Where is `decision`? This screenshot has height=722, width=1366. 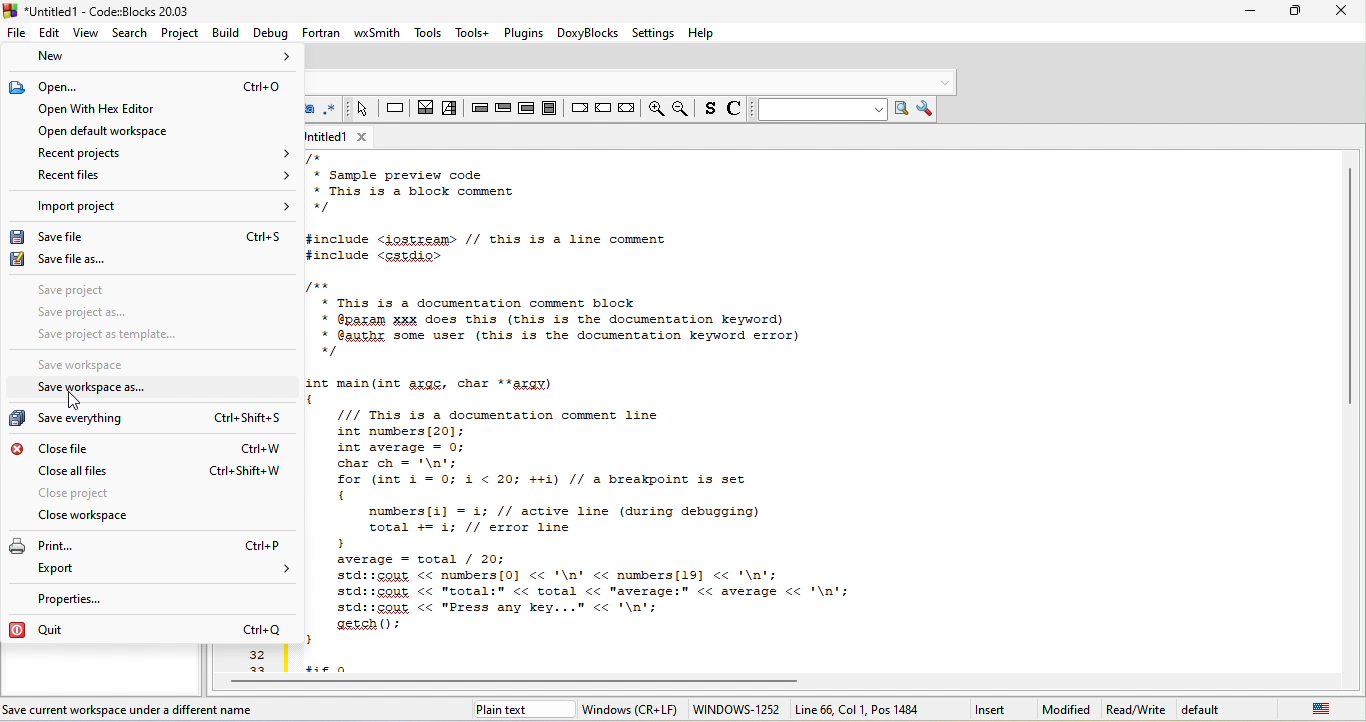 decision is located at coordinates (426, 111).